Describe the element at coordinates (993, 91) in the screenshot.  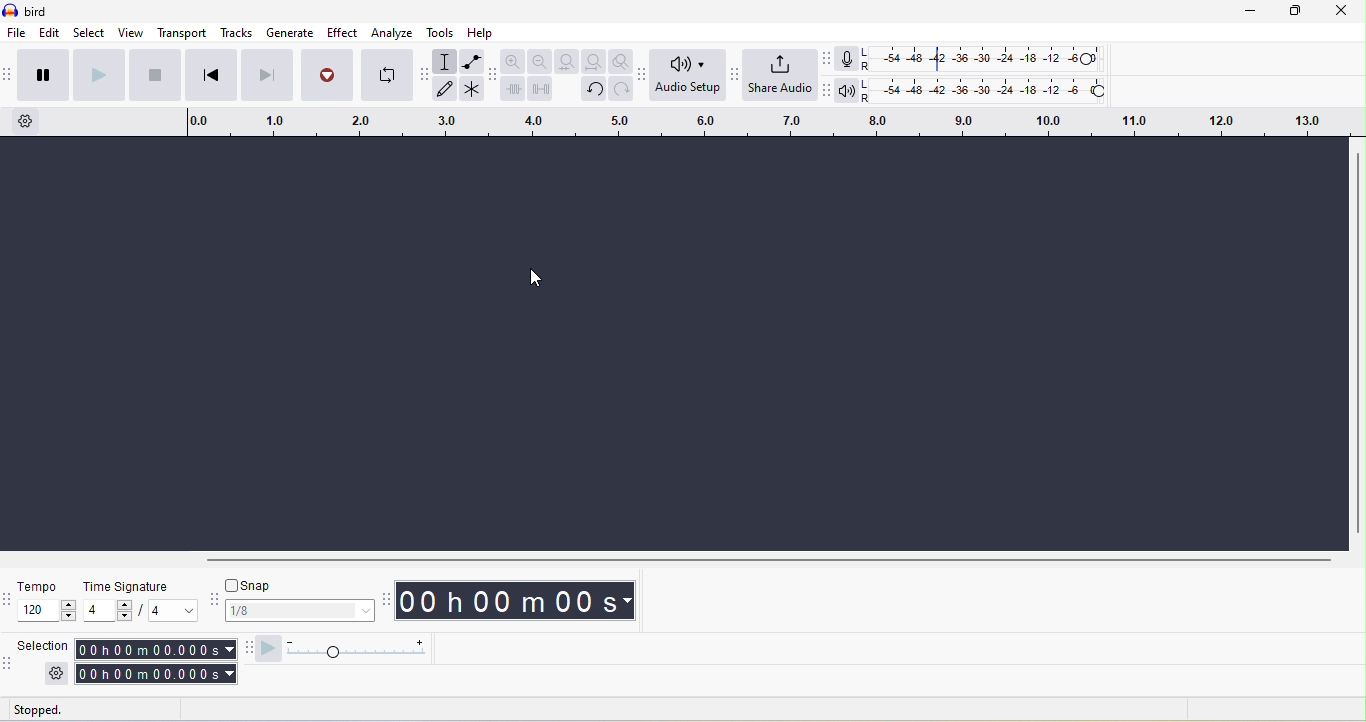
I see `playback level` at that location.